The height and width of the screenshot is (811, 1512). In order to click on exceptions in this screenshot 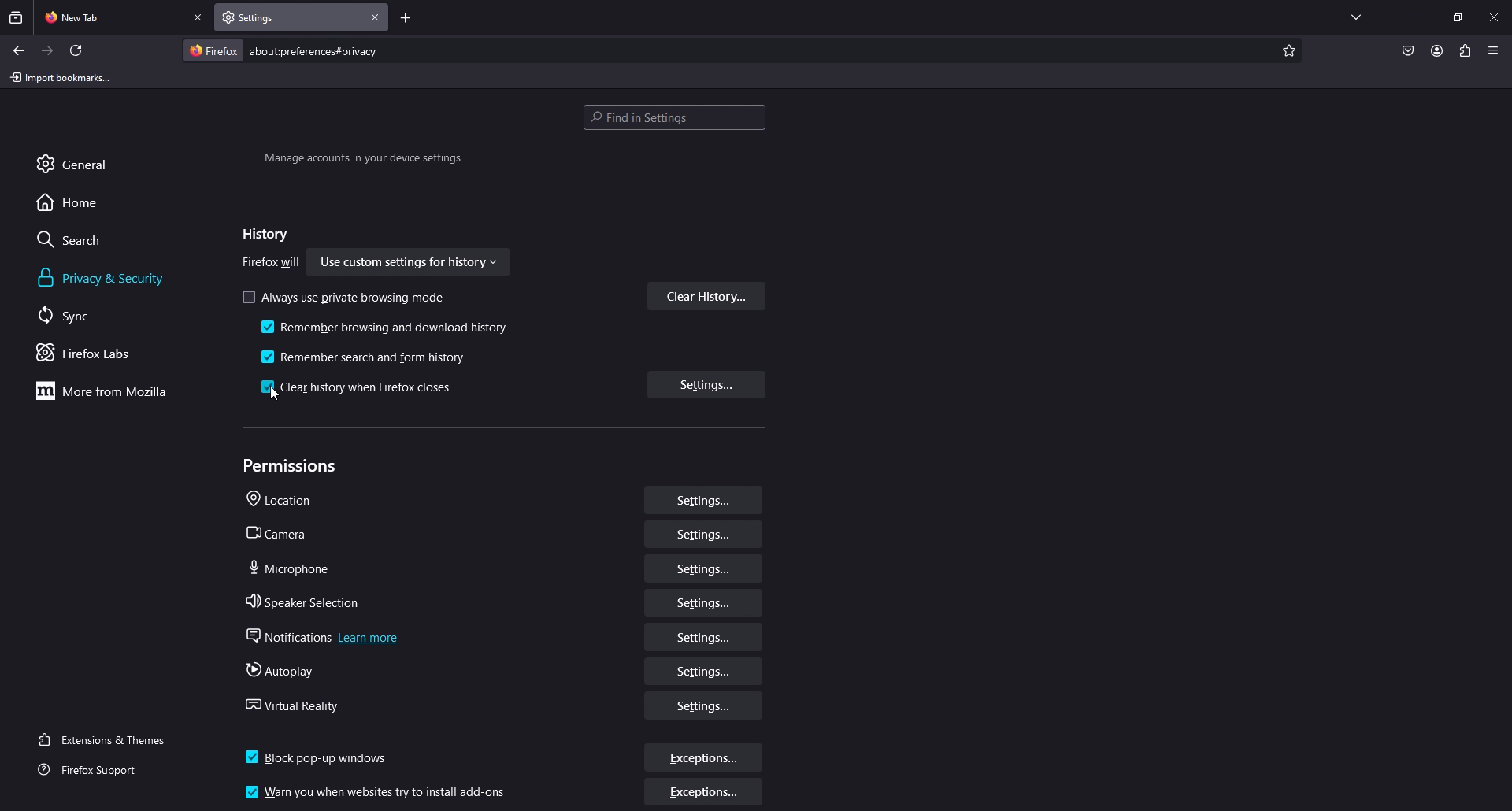, I will do `click(704, 758)`.